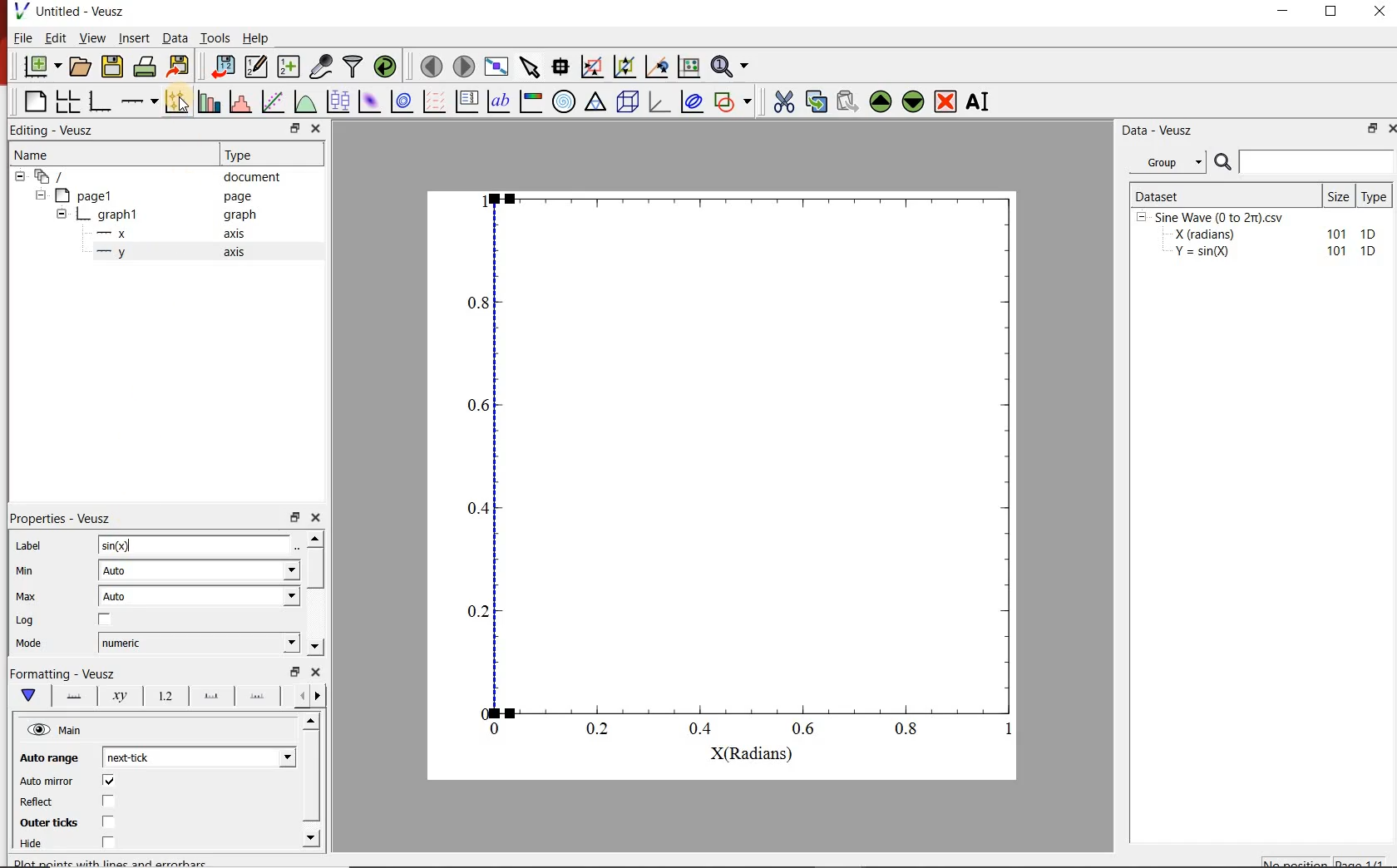  Describe the element at coordinates (200, 571) in the screenshot. I see `Auto` at that location.